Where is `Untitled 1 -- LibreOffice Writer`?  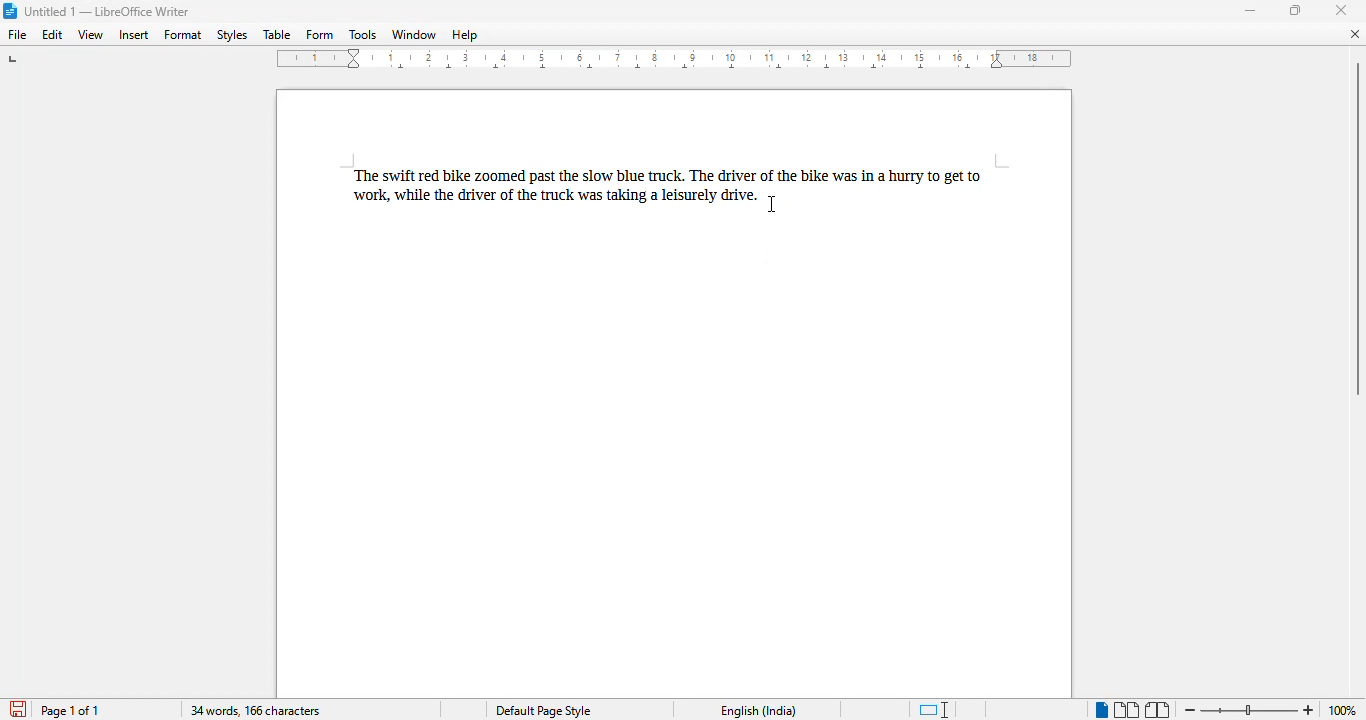 Untitled 1 -- LibreOffice Writer is located at coordinates (108, 13).